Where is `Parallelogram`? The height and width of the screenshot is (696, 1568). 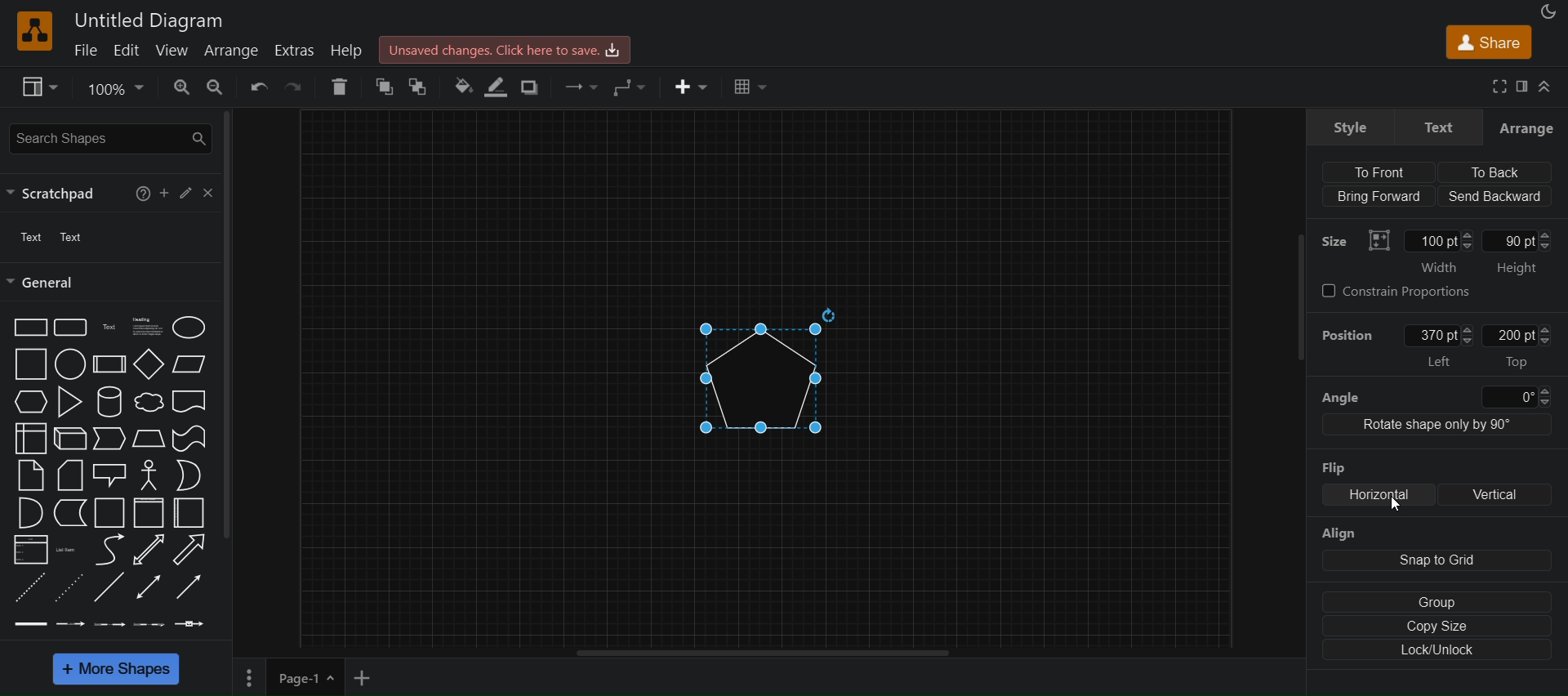 Parallelogram is located at coordinates (189, 364).